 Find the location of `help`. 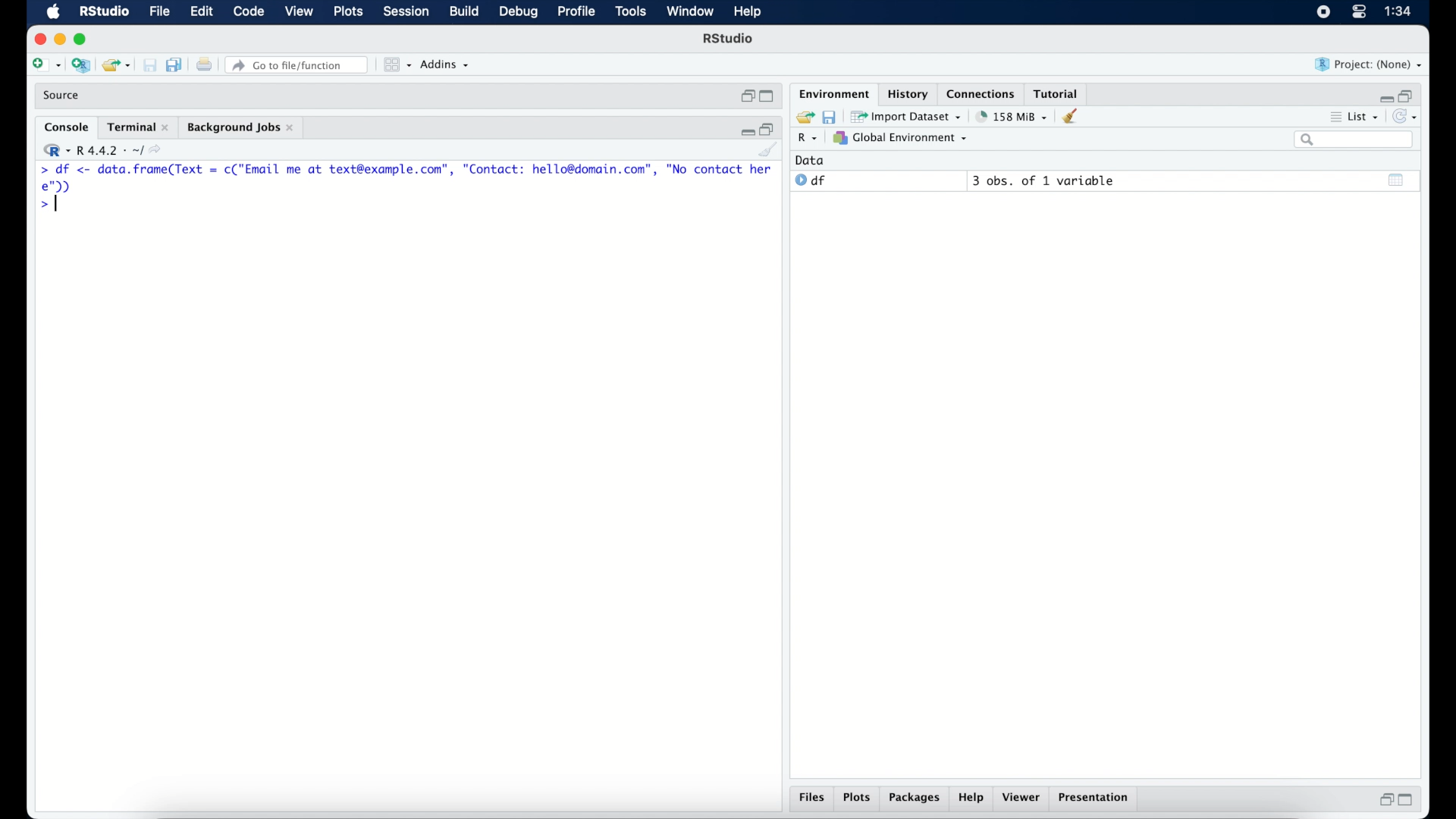

help is located at coordinates (972, 799).